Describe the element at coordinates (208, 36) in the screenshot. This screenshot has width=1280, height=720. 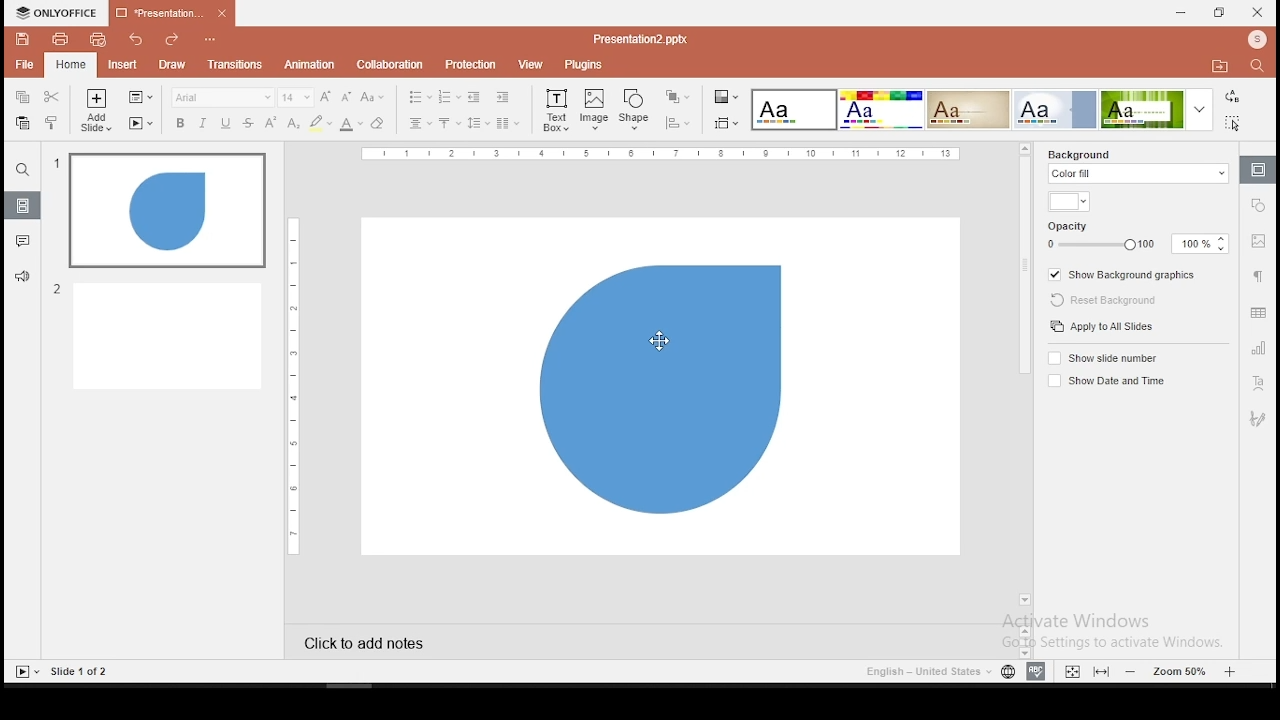
I see `customize quick action toolbar` at that location.